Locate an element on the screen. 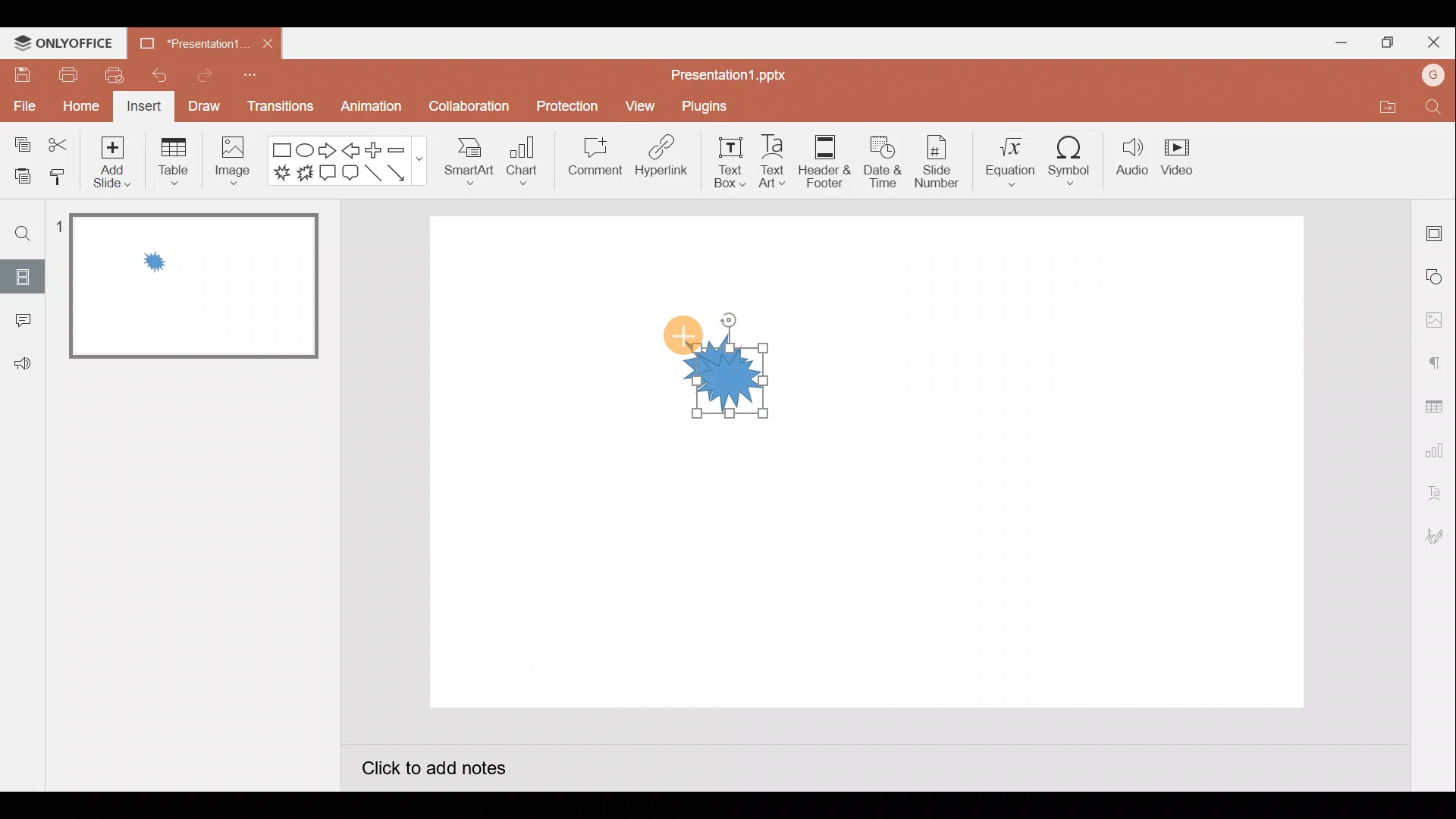  Video is located at coordinates (1185, 160).